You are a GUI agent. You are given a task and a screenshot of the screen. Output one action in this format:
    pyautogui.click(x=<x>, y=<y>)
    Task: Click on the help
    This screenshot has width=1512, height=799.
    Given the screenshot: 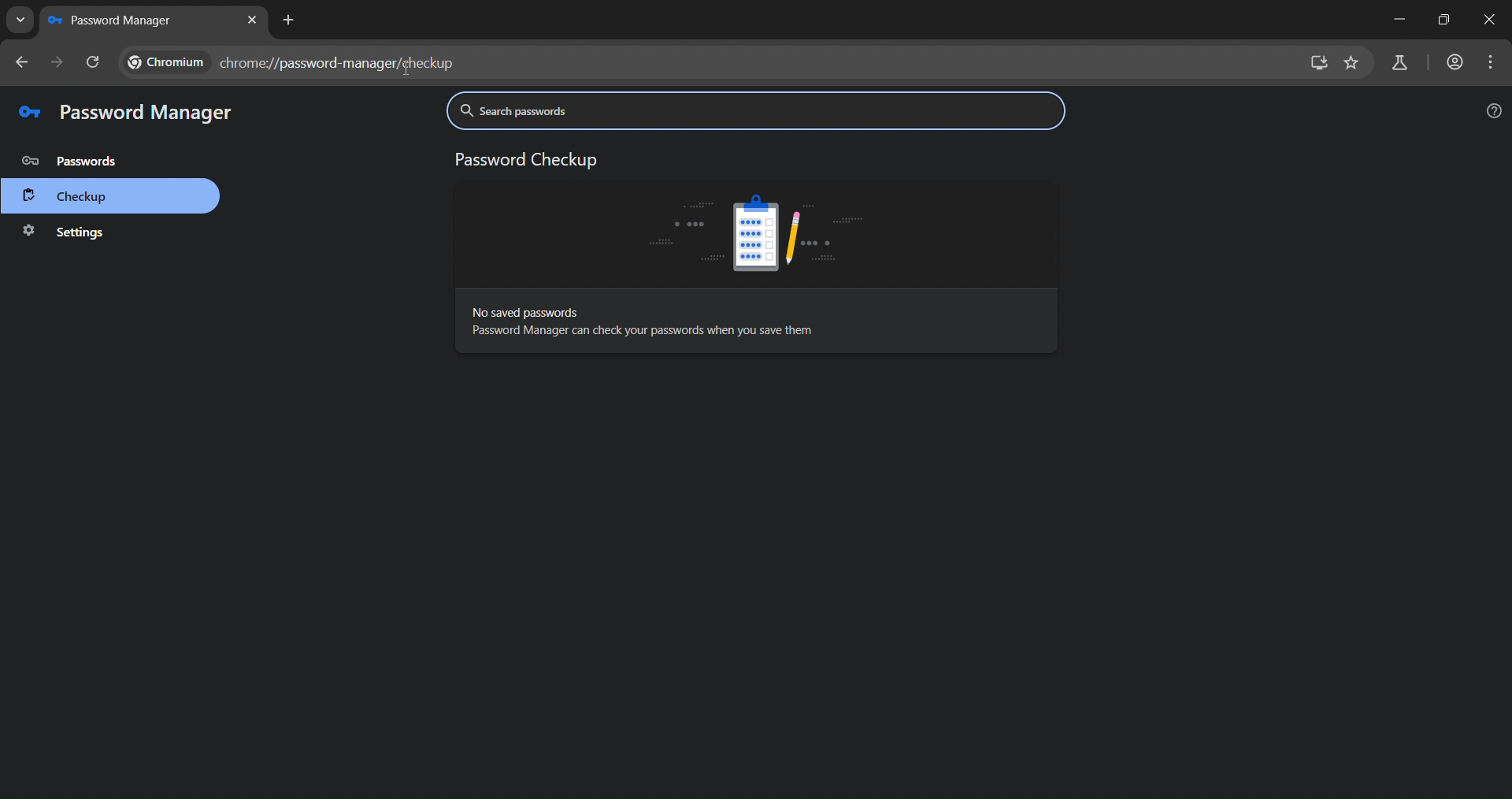 What is the action you would take?
    pyautogui.click(x=1490, y=114)
    